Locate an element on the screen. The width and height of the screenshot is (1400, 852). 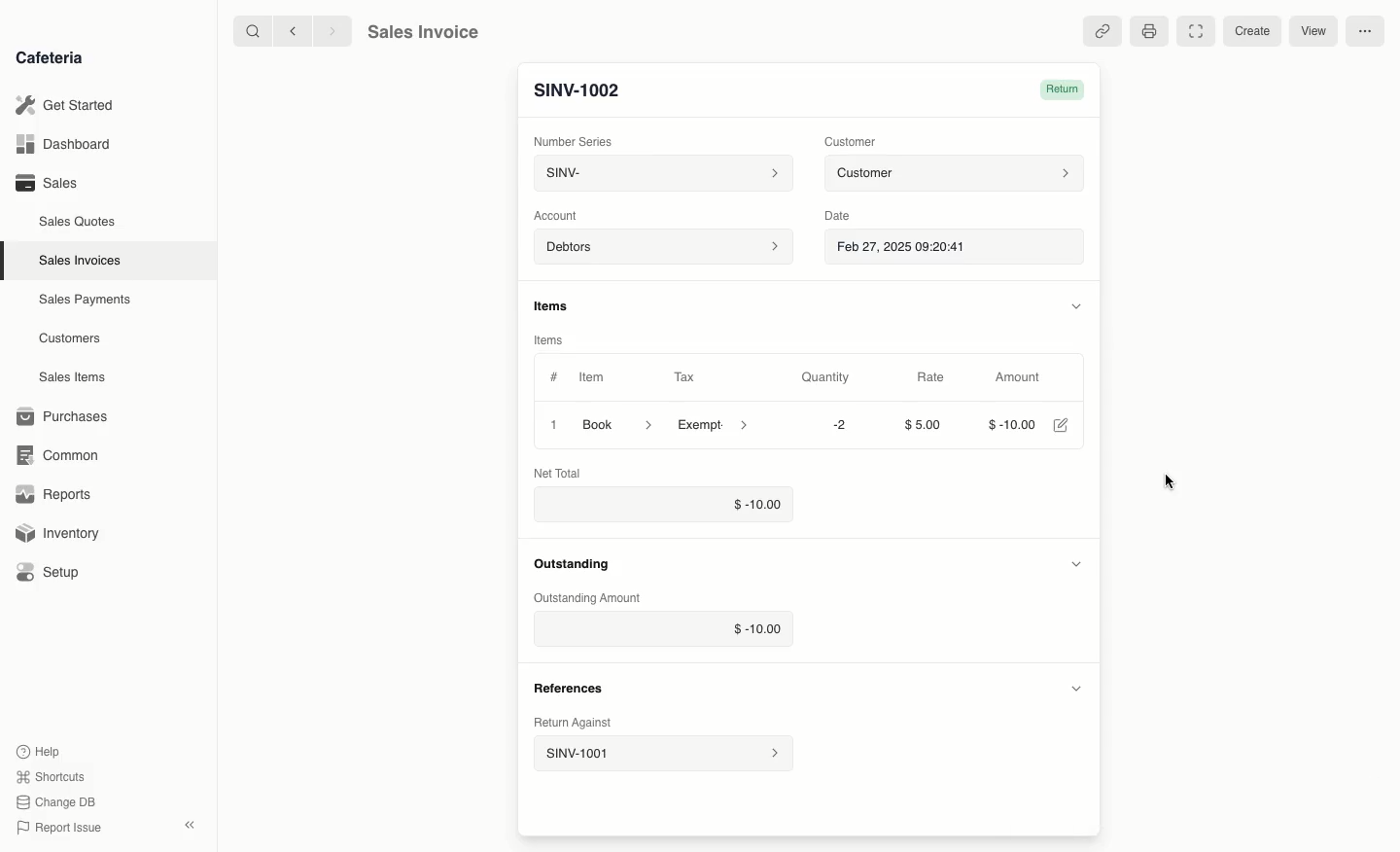
Print is located at coordinates (1149, 32).